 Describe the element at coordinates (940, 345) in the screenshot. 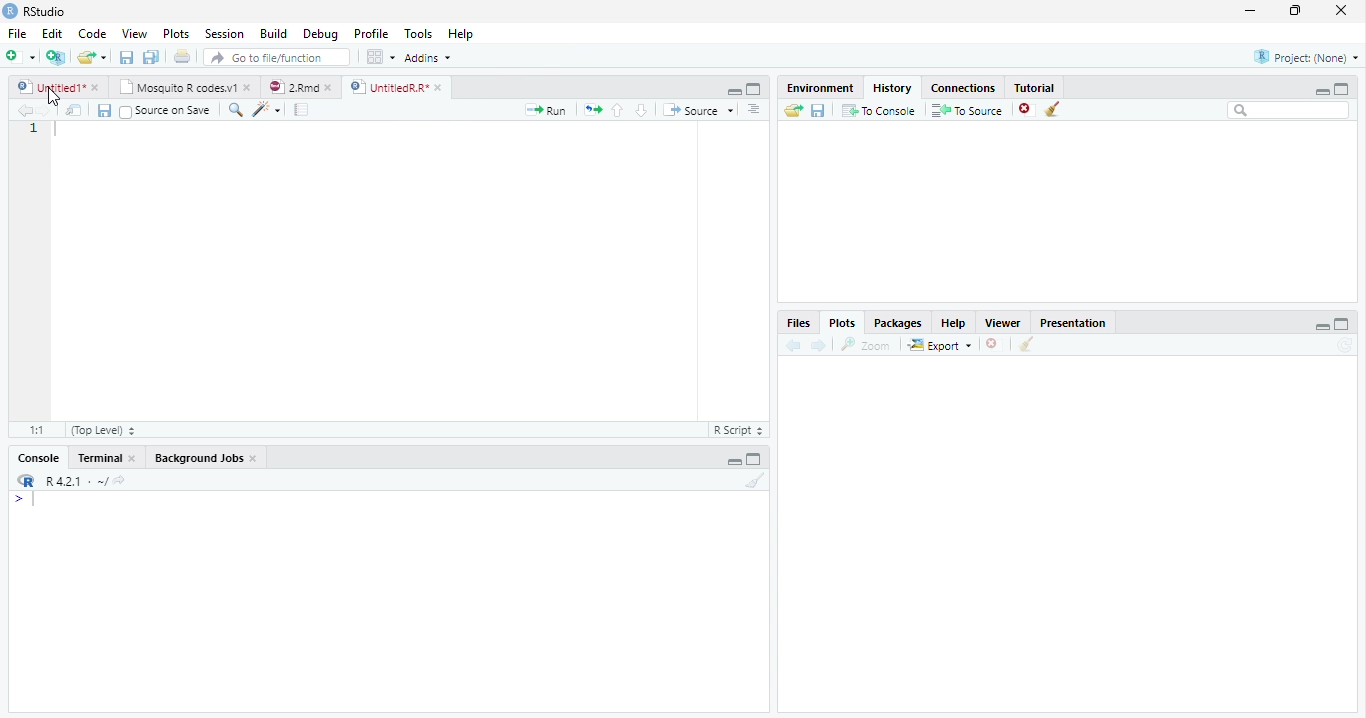

I see `Export` at that location.